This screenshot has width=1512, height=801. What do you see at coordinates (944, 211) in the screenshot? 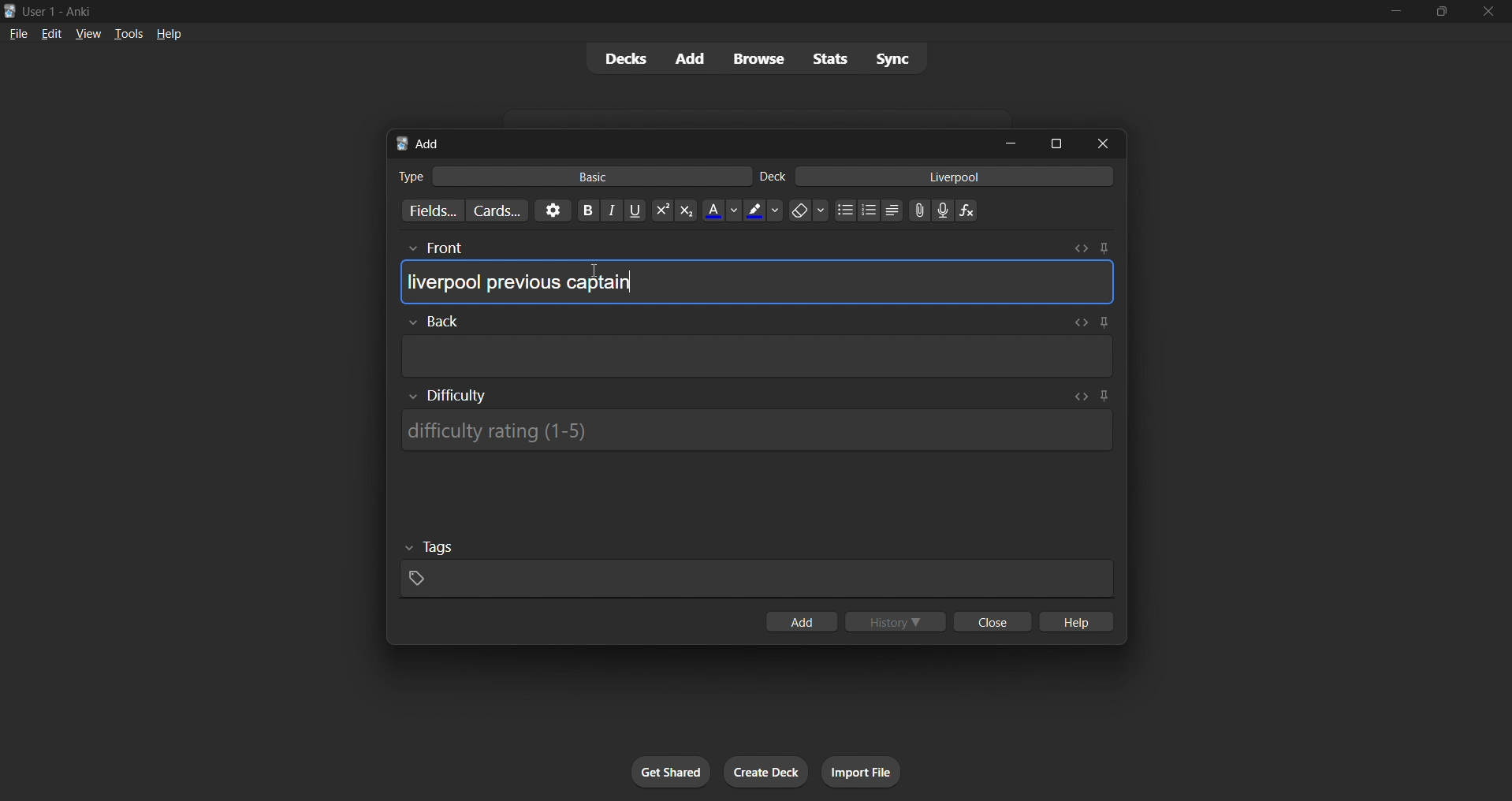
I see `microphone` at bounding box center [944, 211].